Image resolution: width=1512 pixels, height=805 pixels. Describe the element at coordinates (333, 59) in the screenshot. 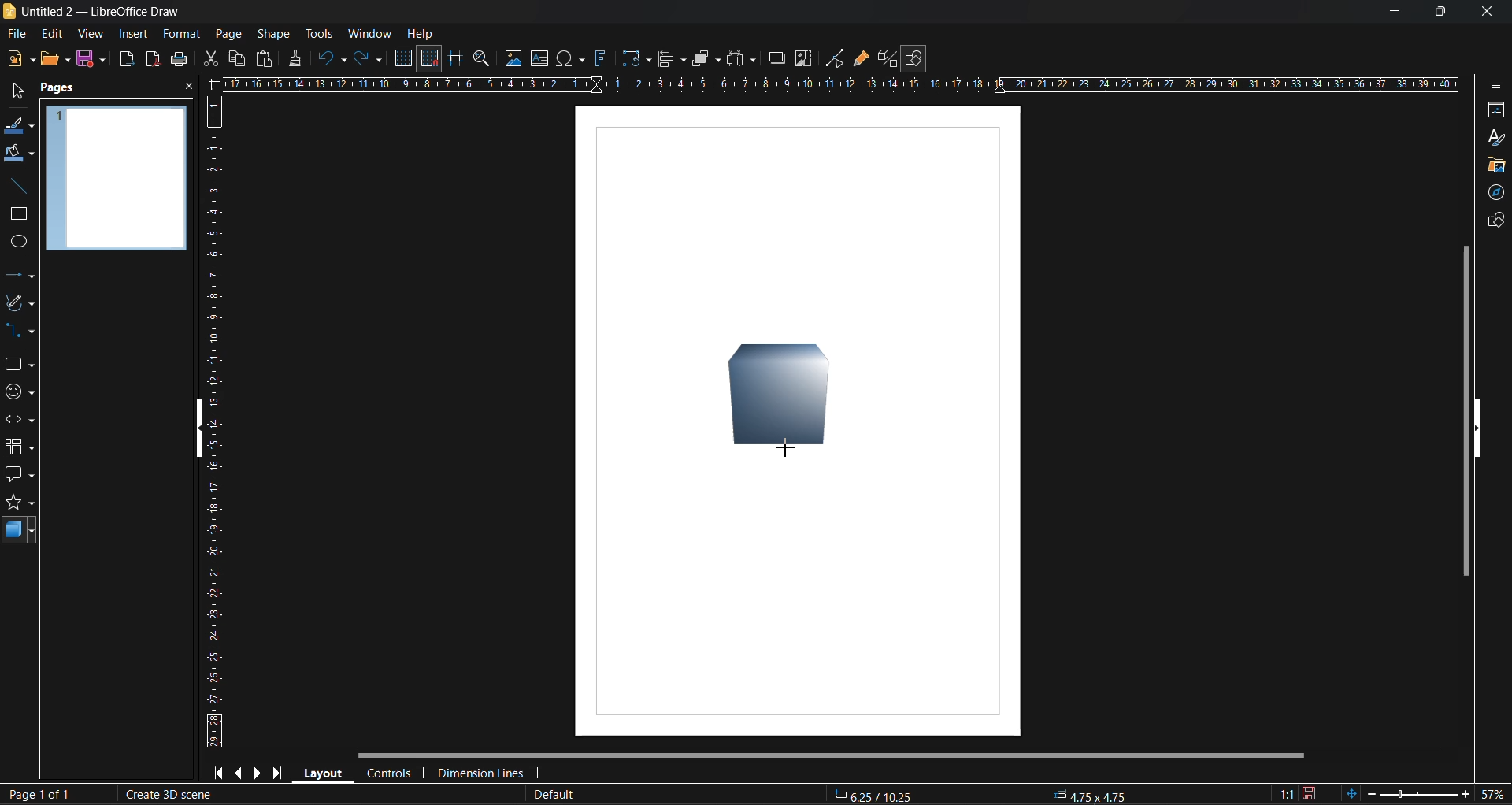

I see `undo` at that location.